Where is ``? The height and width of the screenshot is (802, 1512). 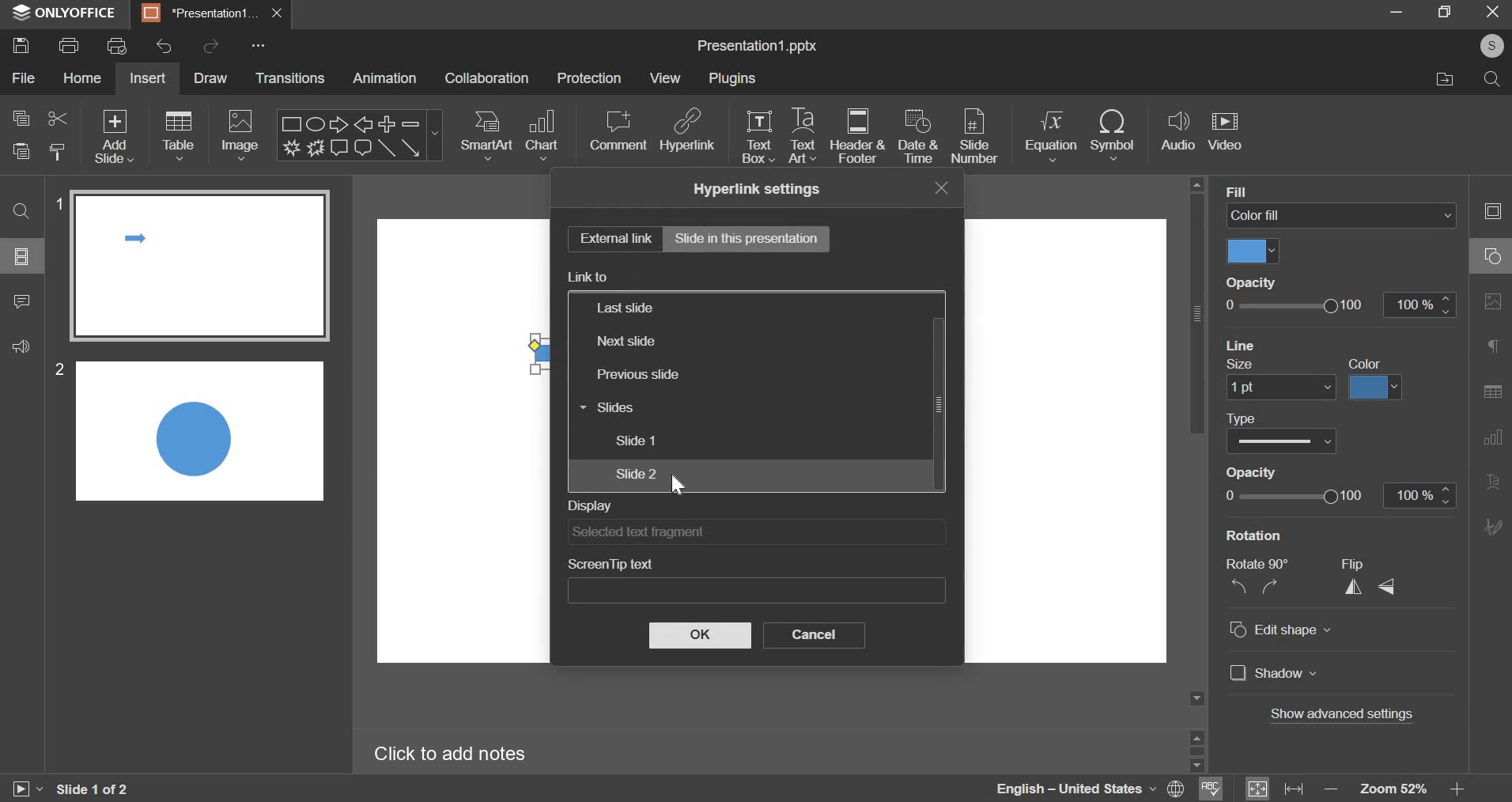  is located at coordinates (114, 113).